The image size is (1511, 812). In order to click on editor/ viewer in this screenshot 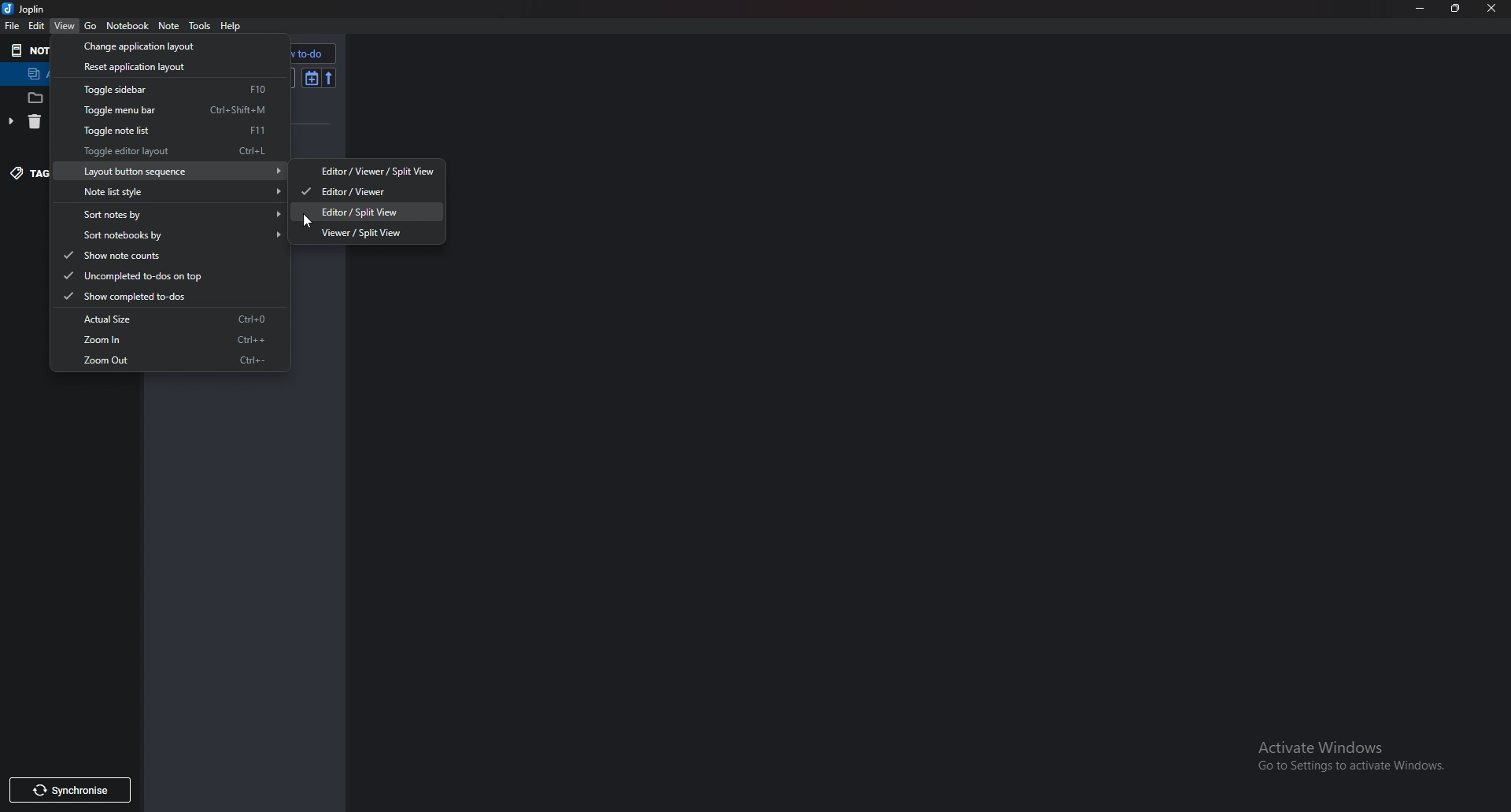, I will do `click(367, 191)`.